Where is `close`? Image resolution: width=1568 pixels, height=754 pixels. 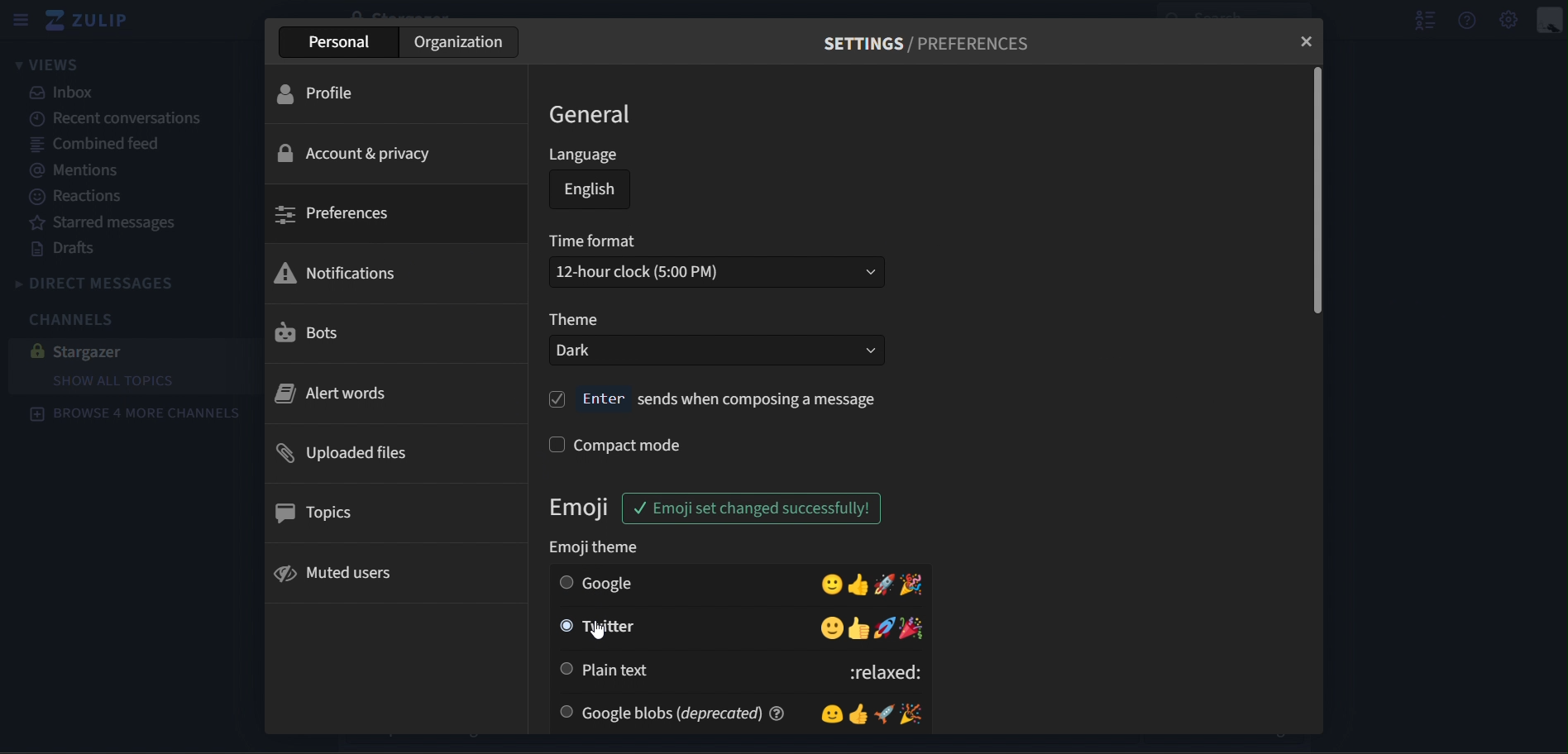 close is located at coordinates (1307, 40).